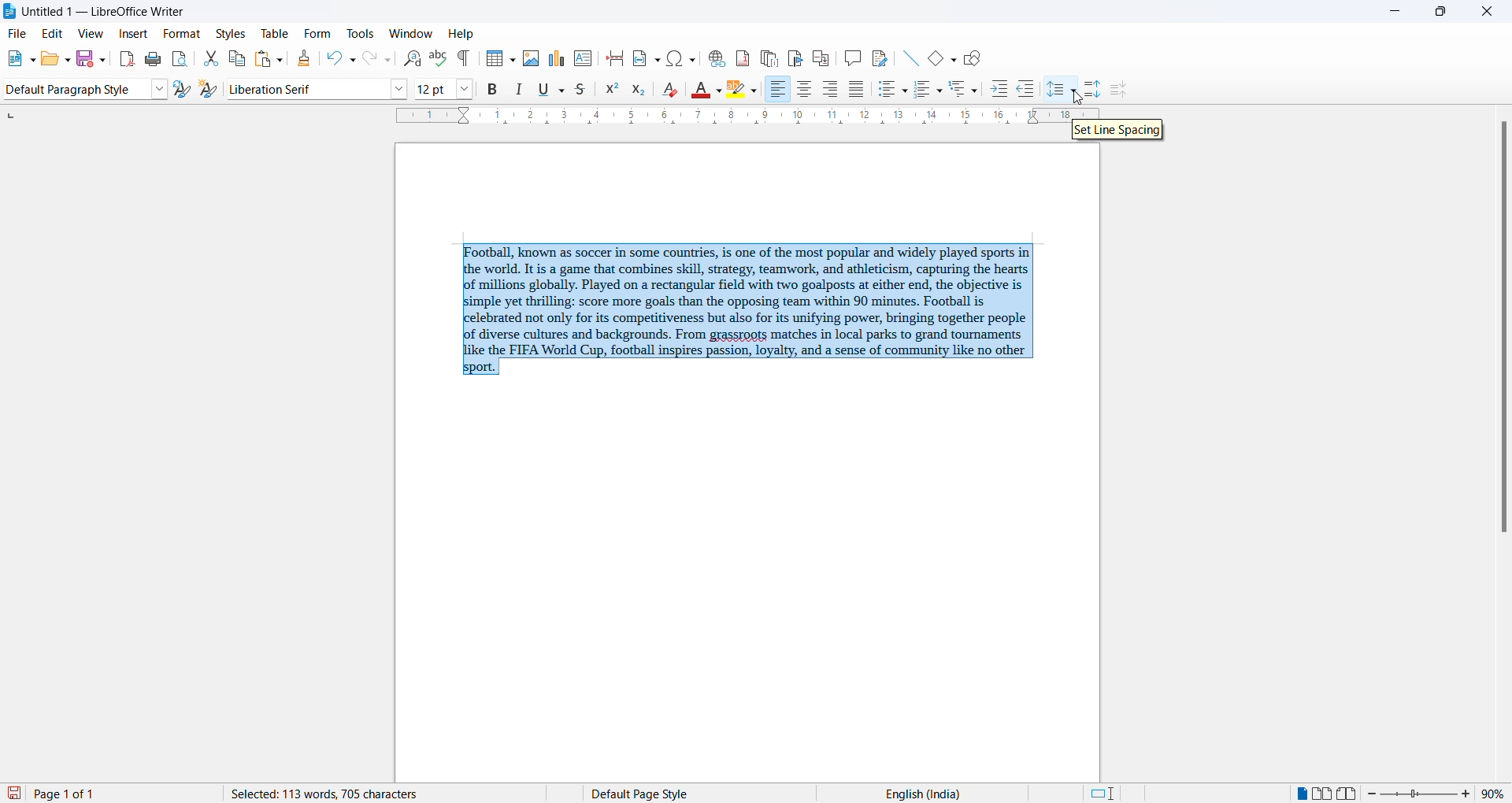 Image resolution: width=1512 pixels, height=803 pixels. What do you see at coordinates (433, 88) in the screenshot?
I see `font size` at bounding box center [433, 88].